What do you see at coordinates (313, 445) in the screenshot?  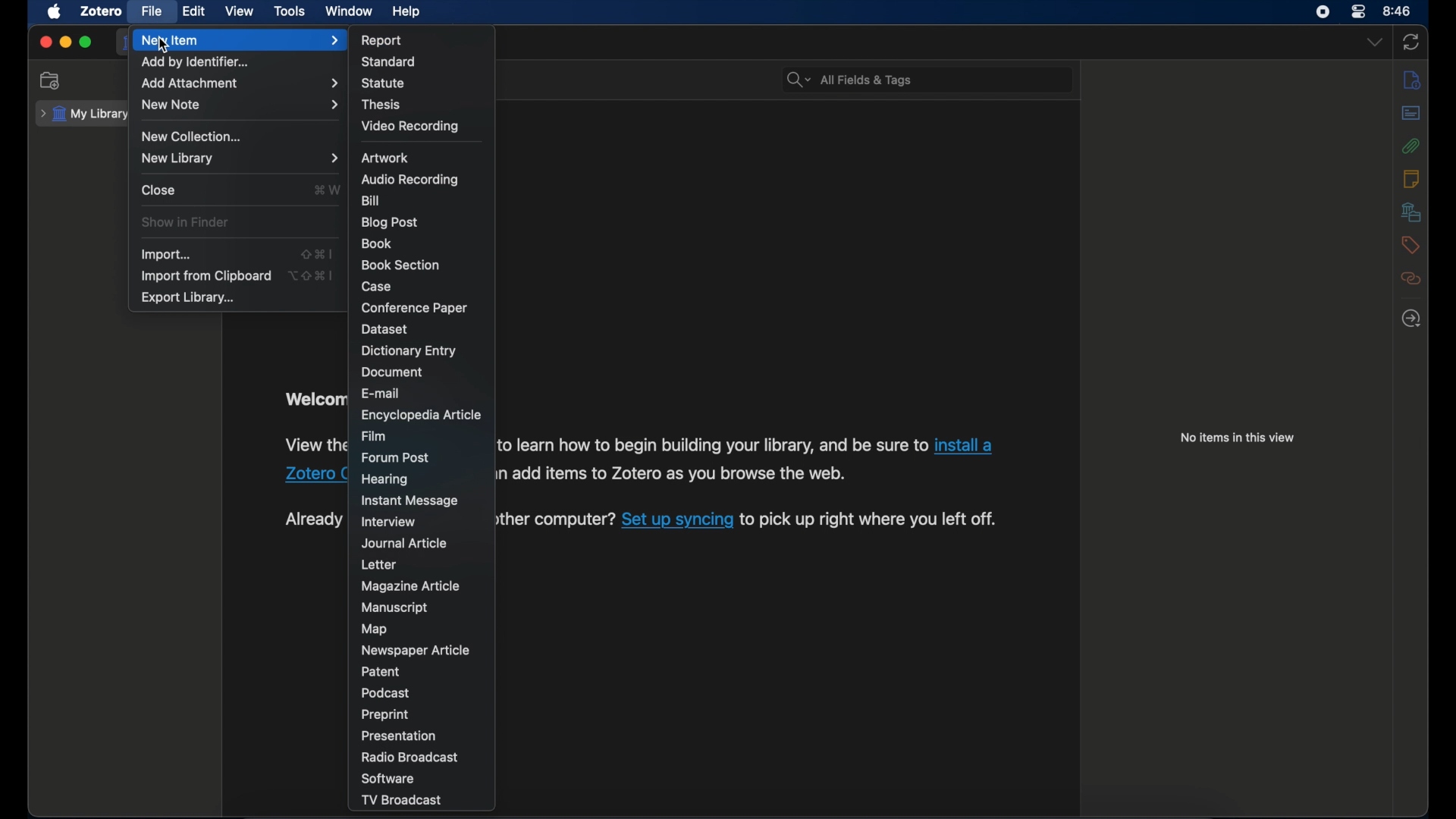 I see `software information` at bounding box center [313, 445].